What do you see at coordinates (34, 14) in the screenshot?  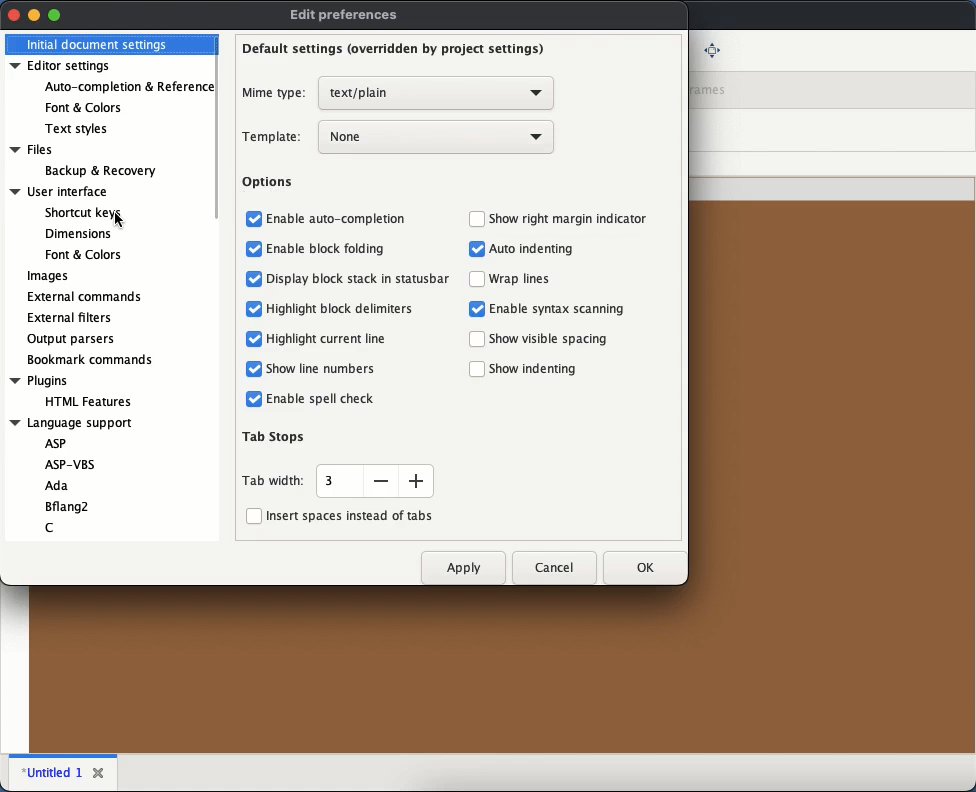 I see `minimize` at bounding box center [34, 14].